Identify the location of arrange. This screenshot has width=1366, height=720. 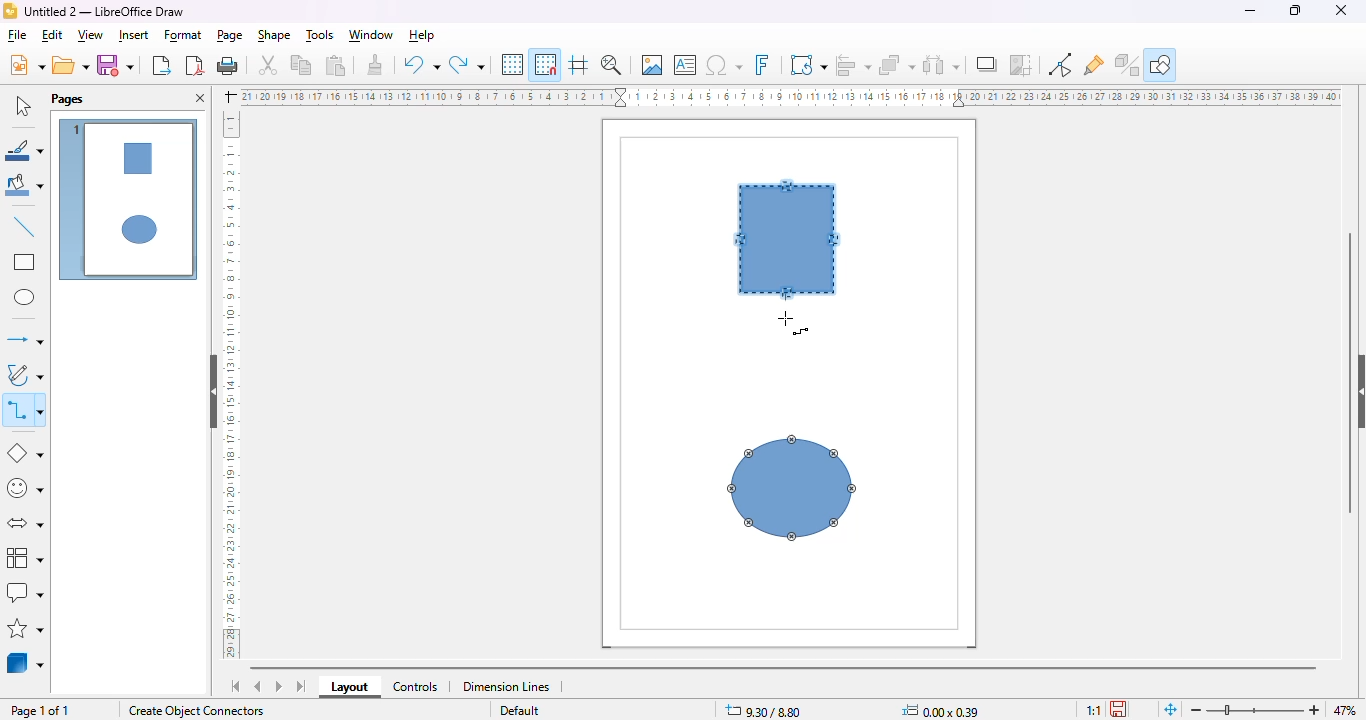
(897, 65).